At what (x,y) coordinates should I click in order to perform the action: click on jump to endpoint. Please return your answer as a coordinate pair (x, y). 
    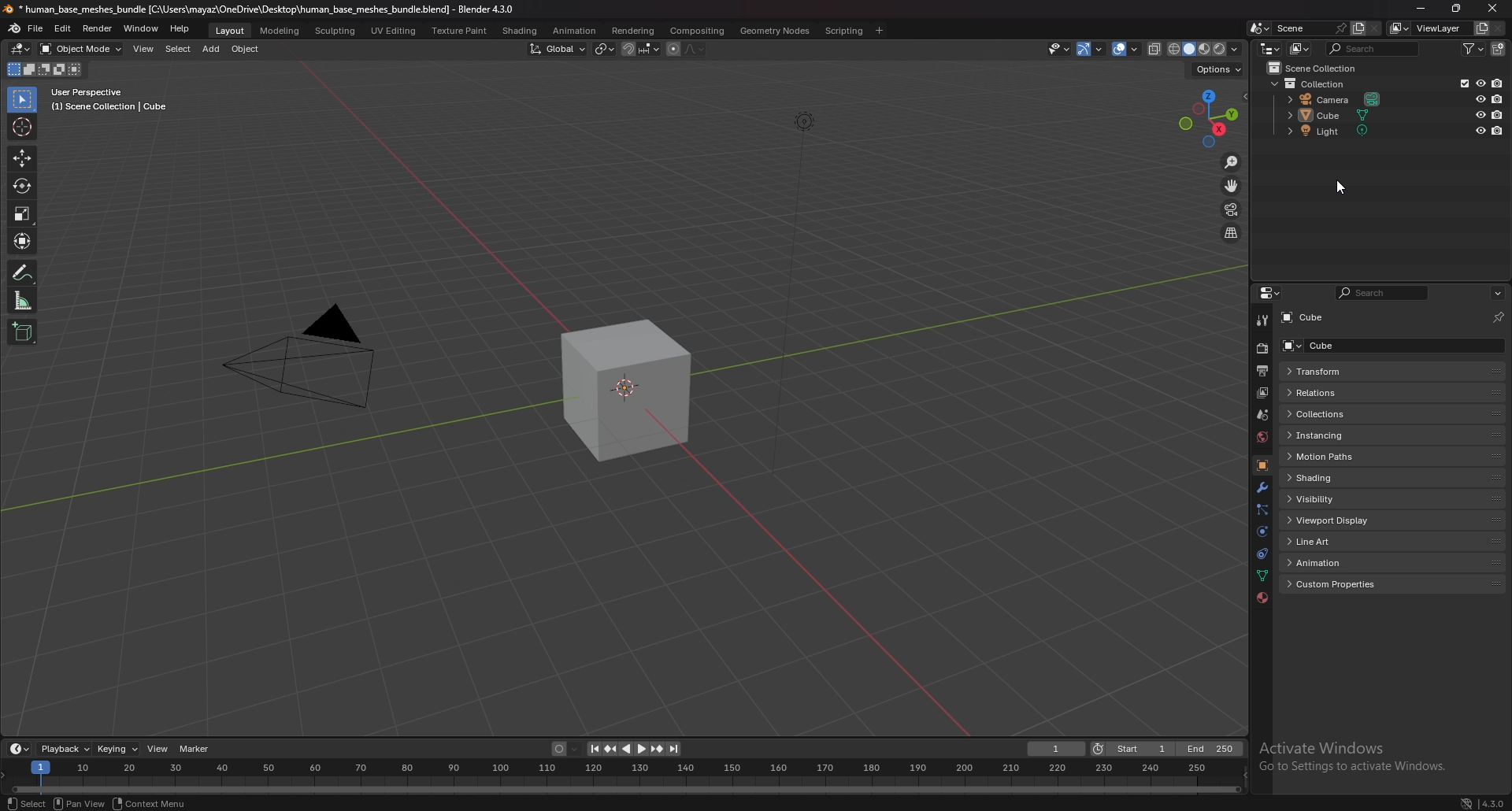
    Looking at the image, I should click on (676, 750).